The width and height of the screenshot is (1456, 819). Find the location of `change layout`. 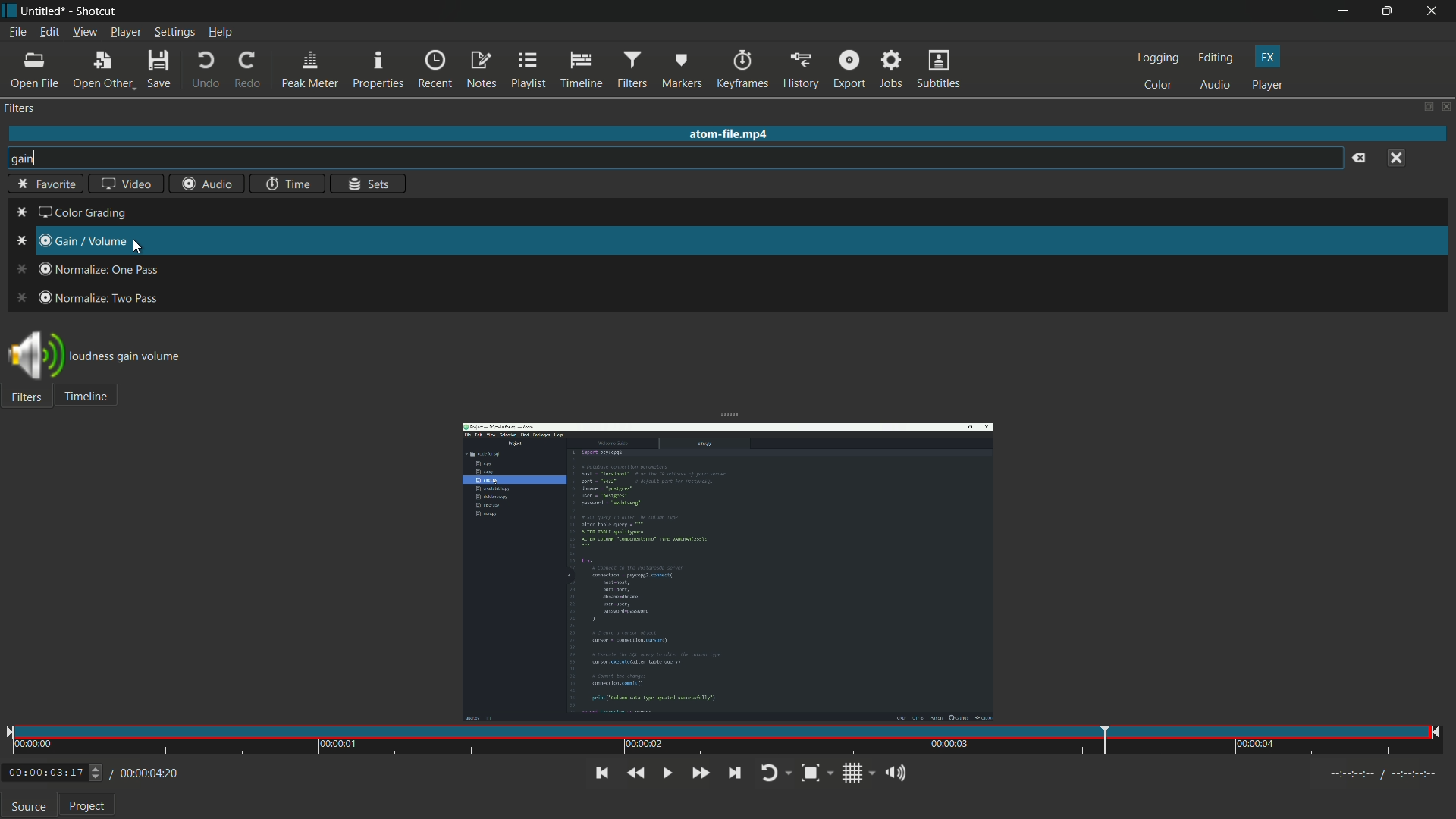

change layout is located at coordinates (1423, 106).